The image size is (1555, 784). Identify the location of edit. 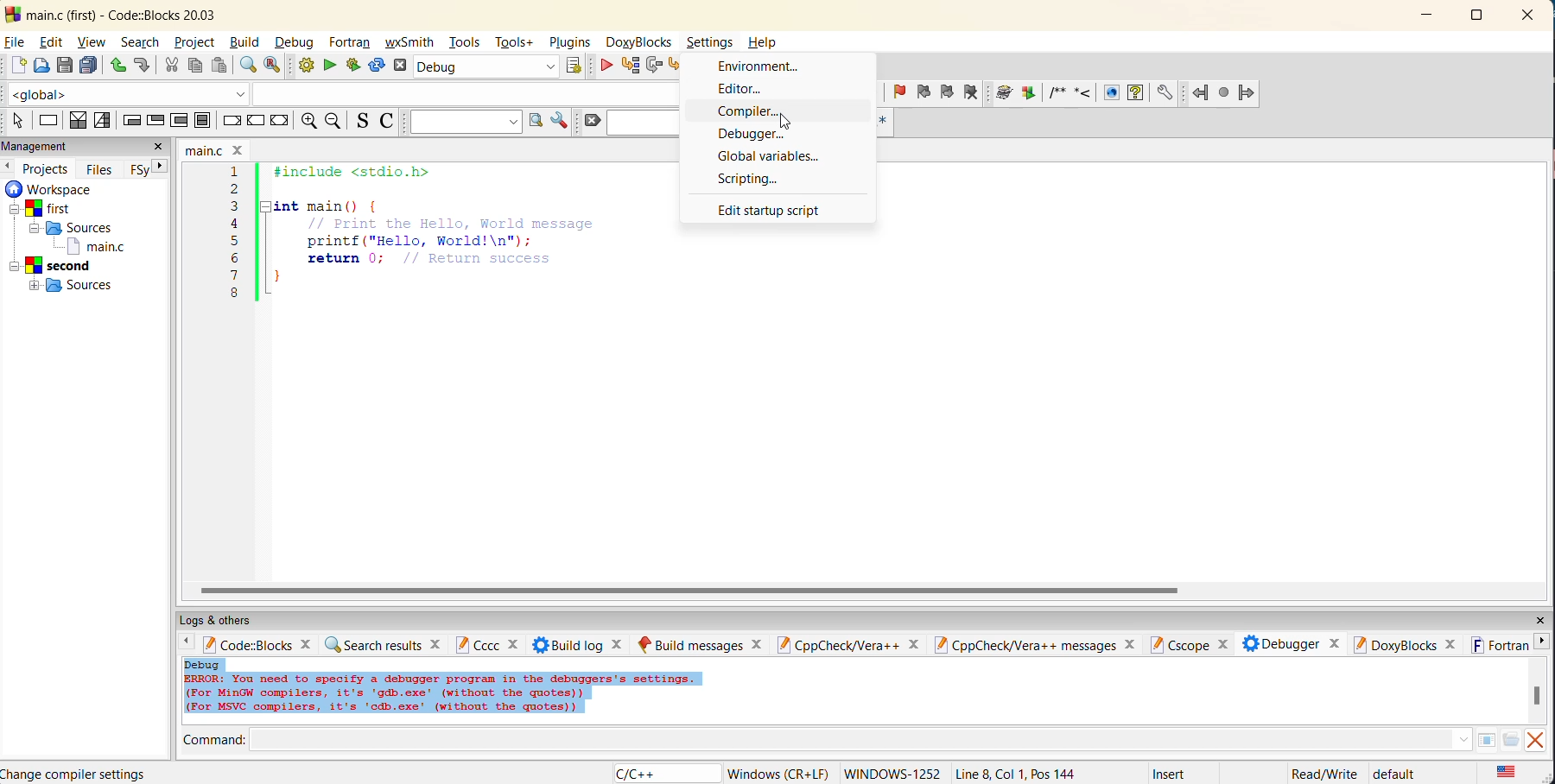
(52, 42).